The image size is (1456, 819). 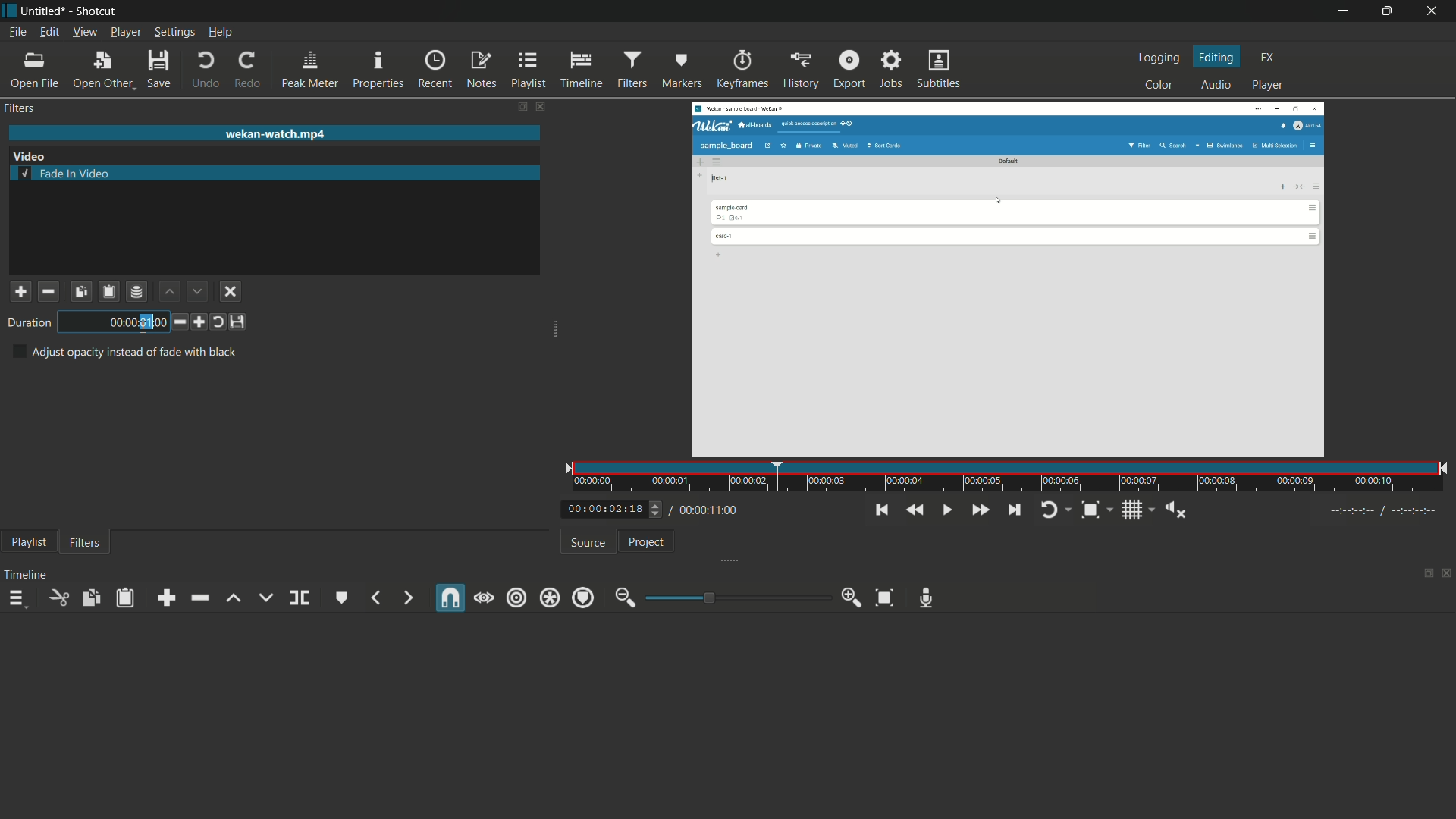 What do you see at coordinates (310, 68) in the screenshot?
I see `peak meter` at bounding box center [310, 68].